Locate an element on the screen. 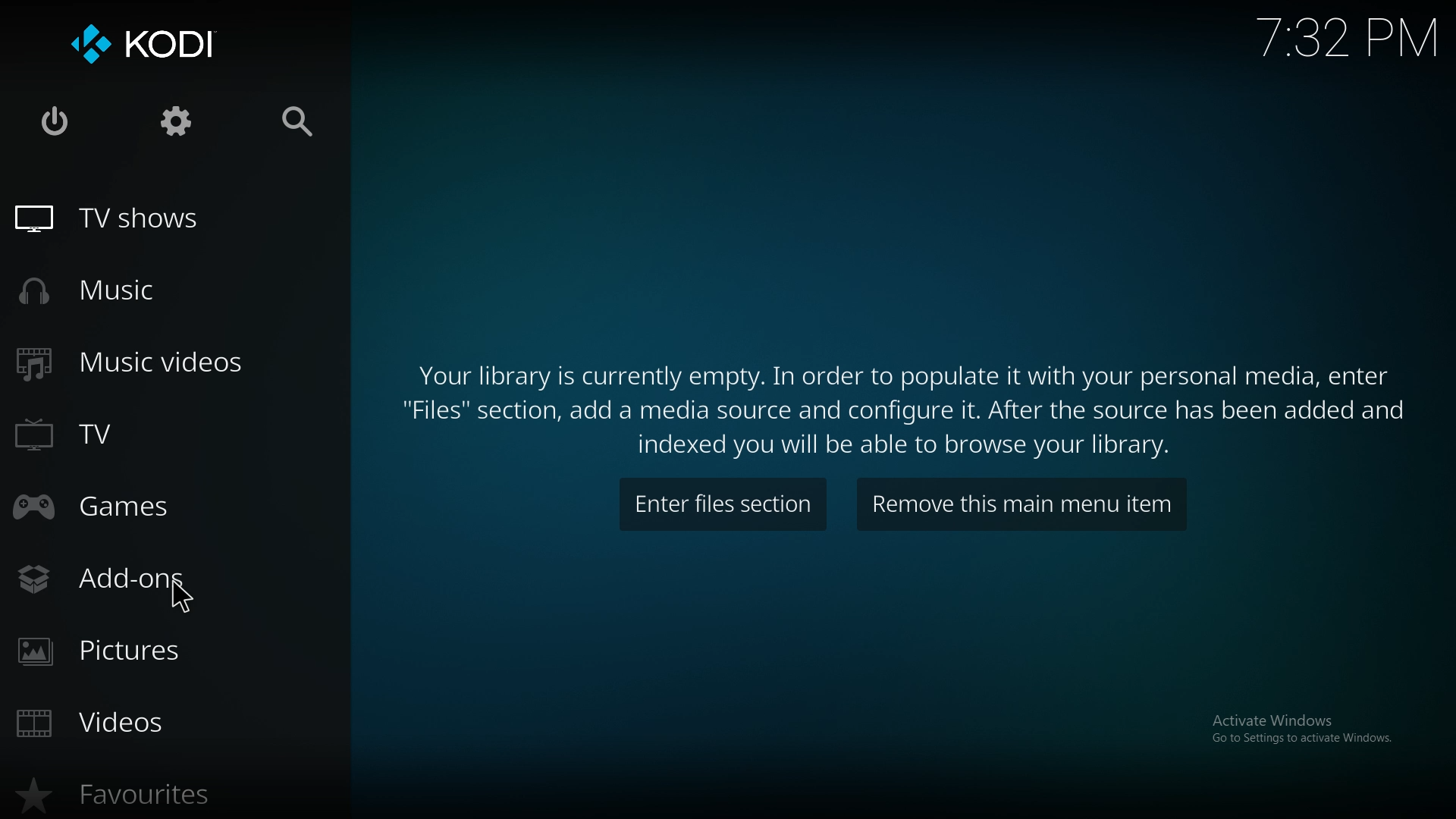 This screenshot has height=819, width=1456. add ons is located at coordinates (141, 575).